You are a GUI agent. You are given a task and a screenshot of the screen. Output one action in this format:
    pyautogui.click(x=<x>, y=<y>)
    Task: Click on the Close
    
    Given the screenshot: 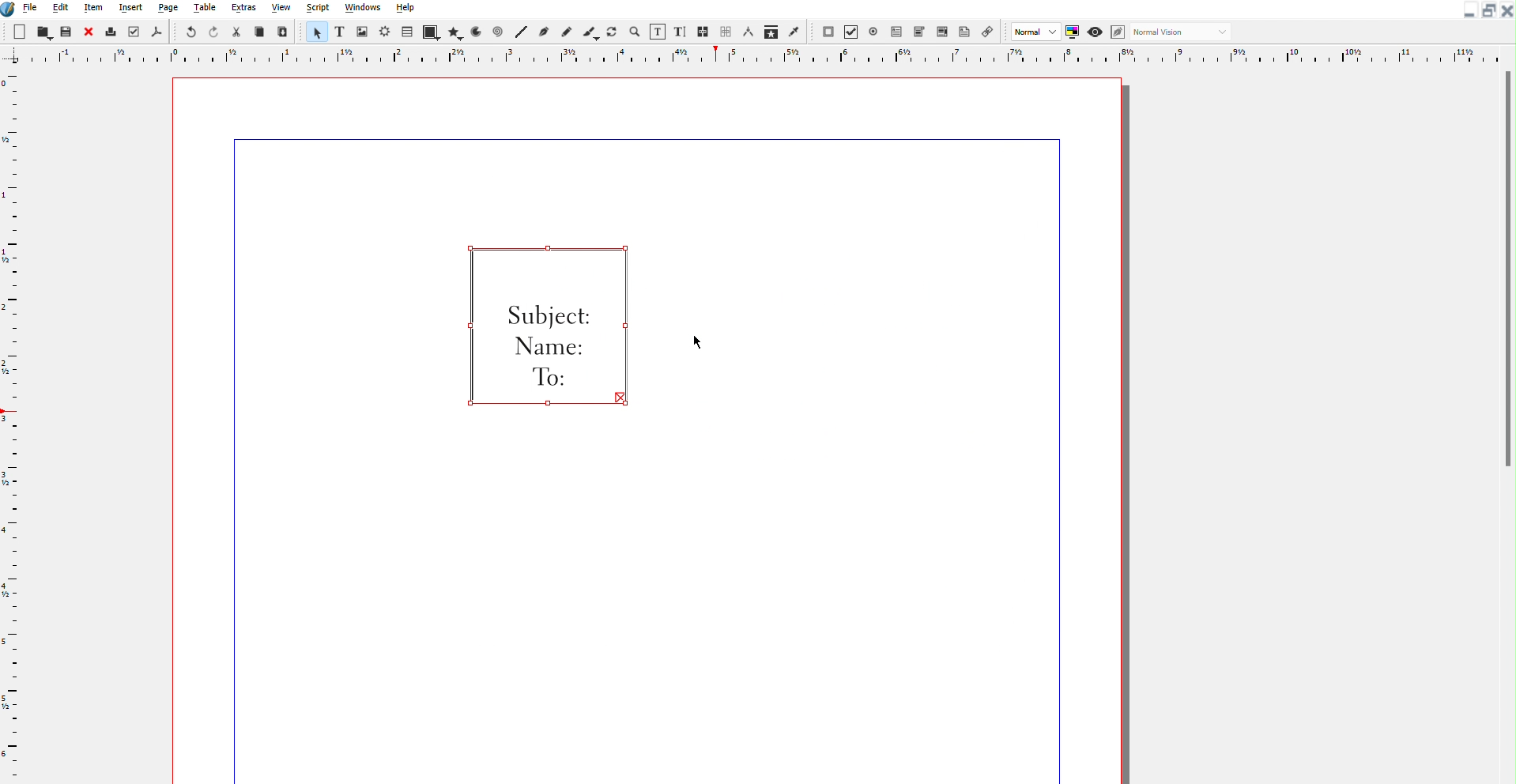 What is the action you would take?
    pyautogui.click(x=86, y=32)
    